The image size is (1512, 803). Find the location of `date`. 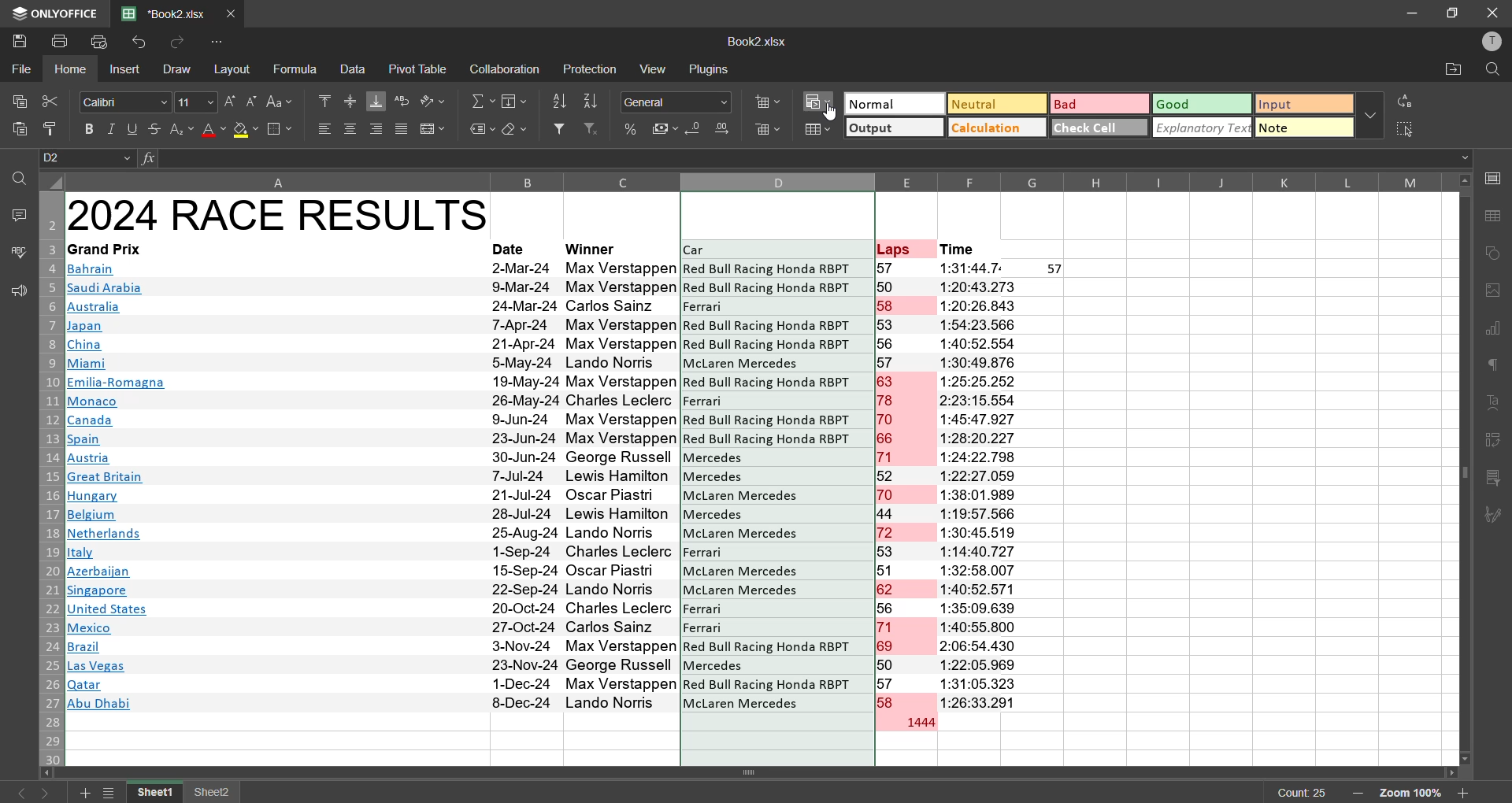

date is located at coordinates (524, 486).